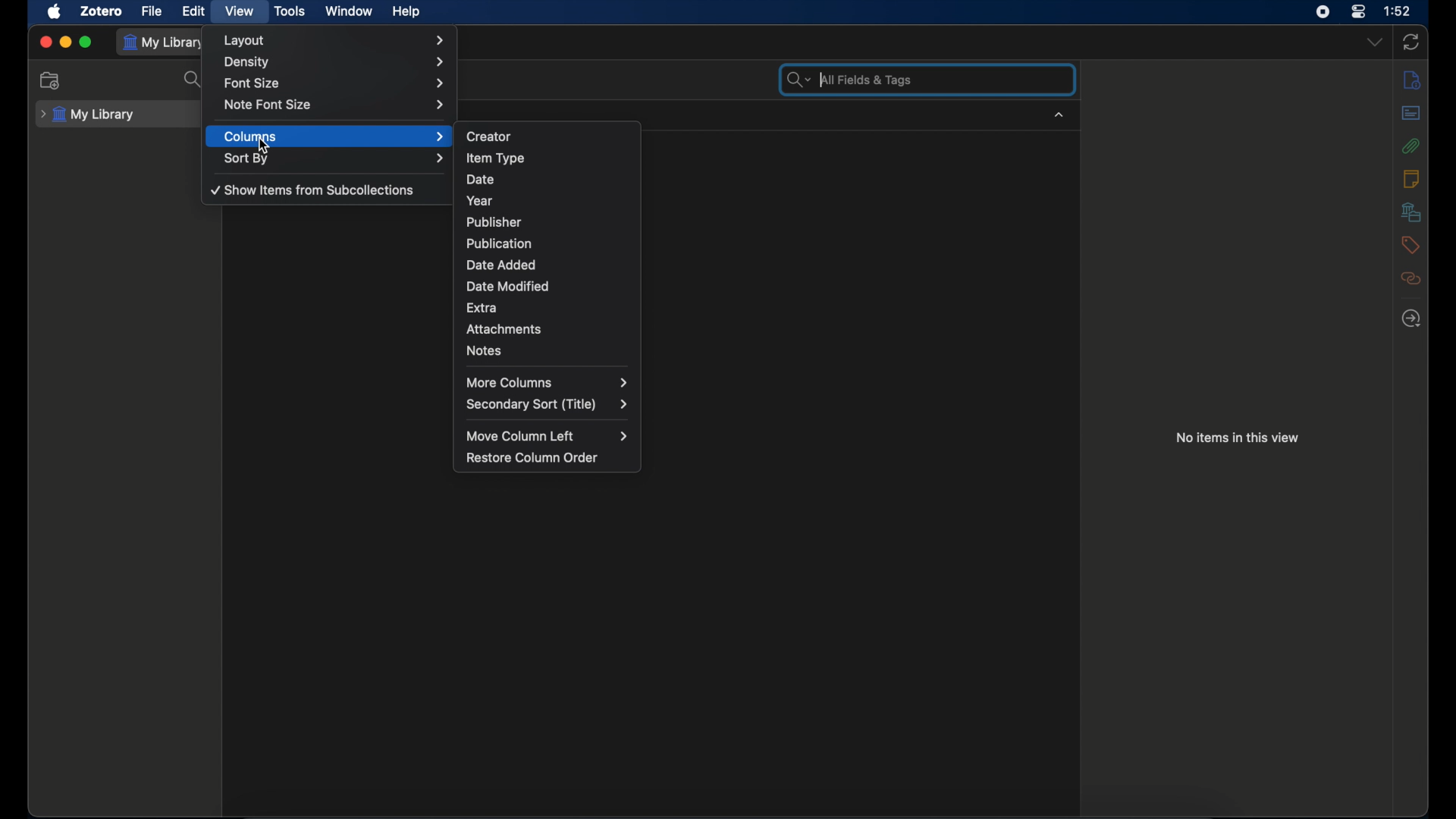 The image size is (1456, 819). I want to click on time, so click(1398, 11).